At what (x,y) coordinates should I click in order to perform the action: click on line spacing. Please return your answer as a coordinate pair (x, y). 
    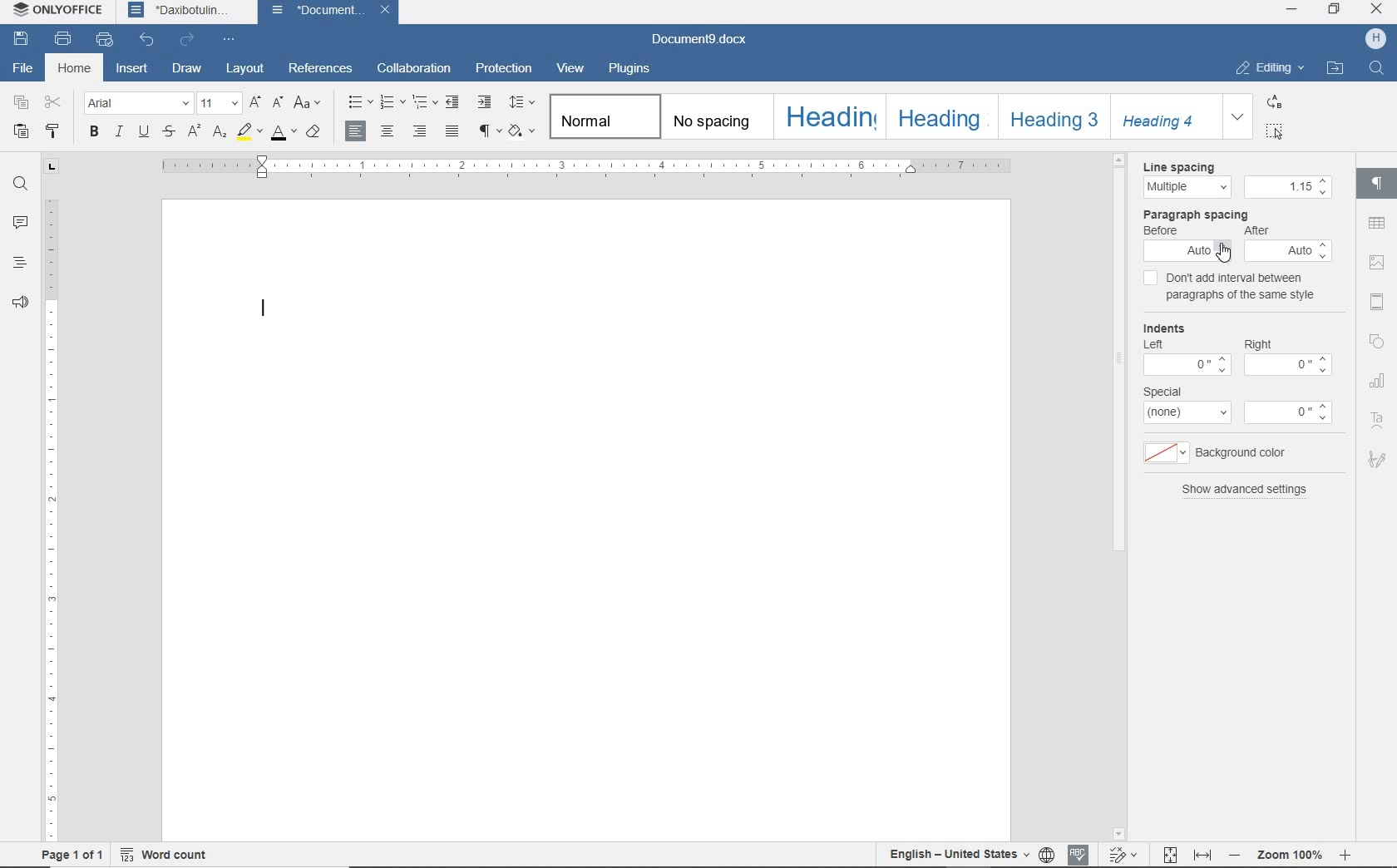
    Looking at the image, I should click on (1178, 167).